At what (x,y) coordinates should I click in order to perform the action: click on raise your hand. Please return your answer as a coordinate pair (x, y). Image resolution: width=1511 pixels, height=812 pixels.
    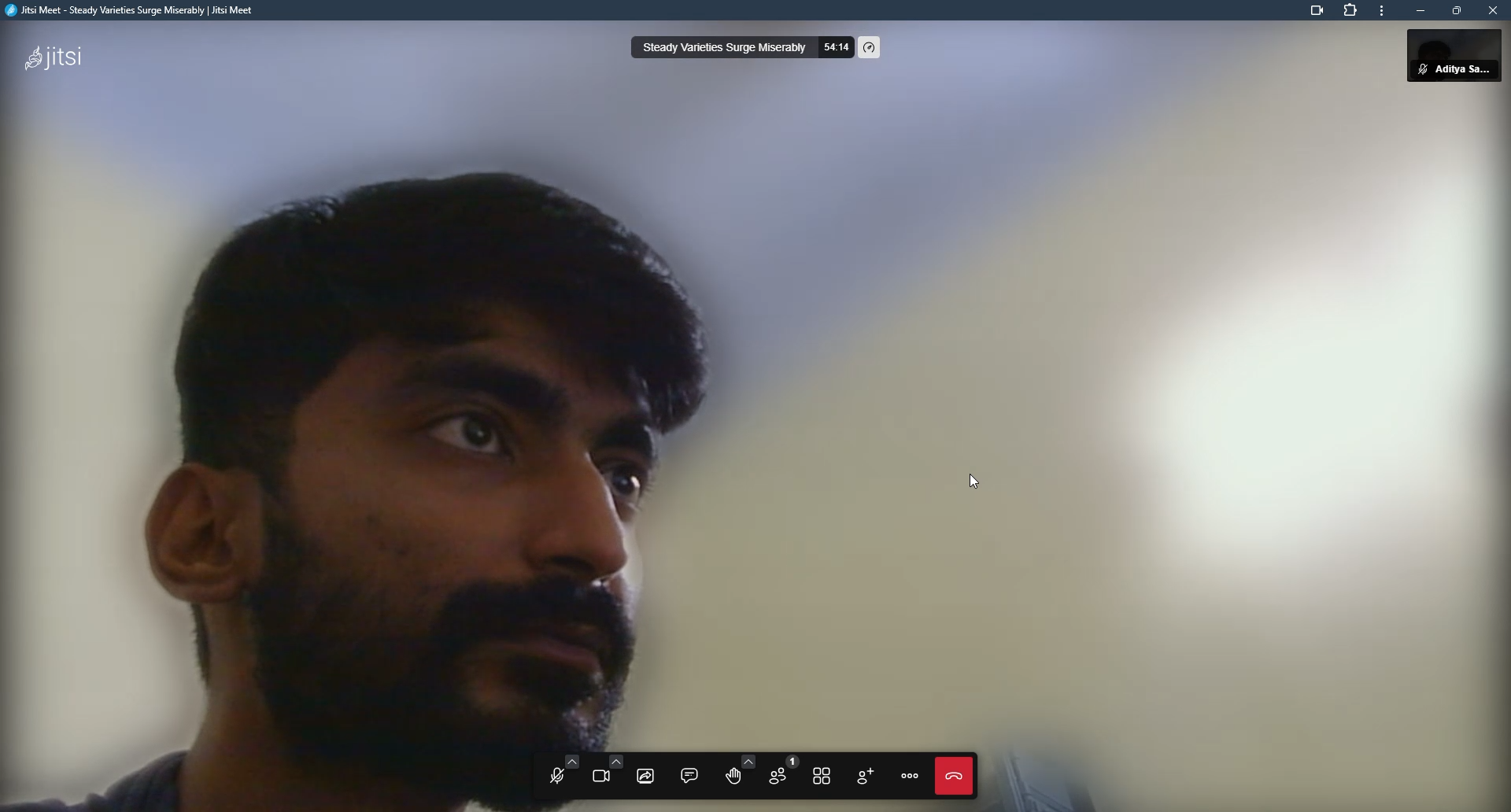
    Looking at the image, I should click on (732, 771).